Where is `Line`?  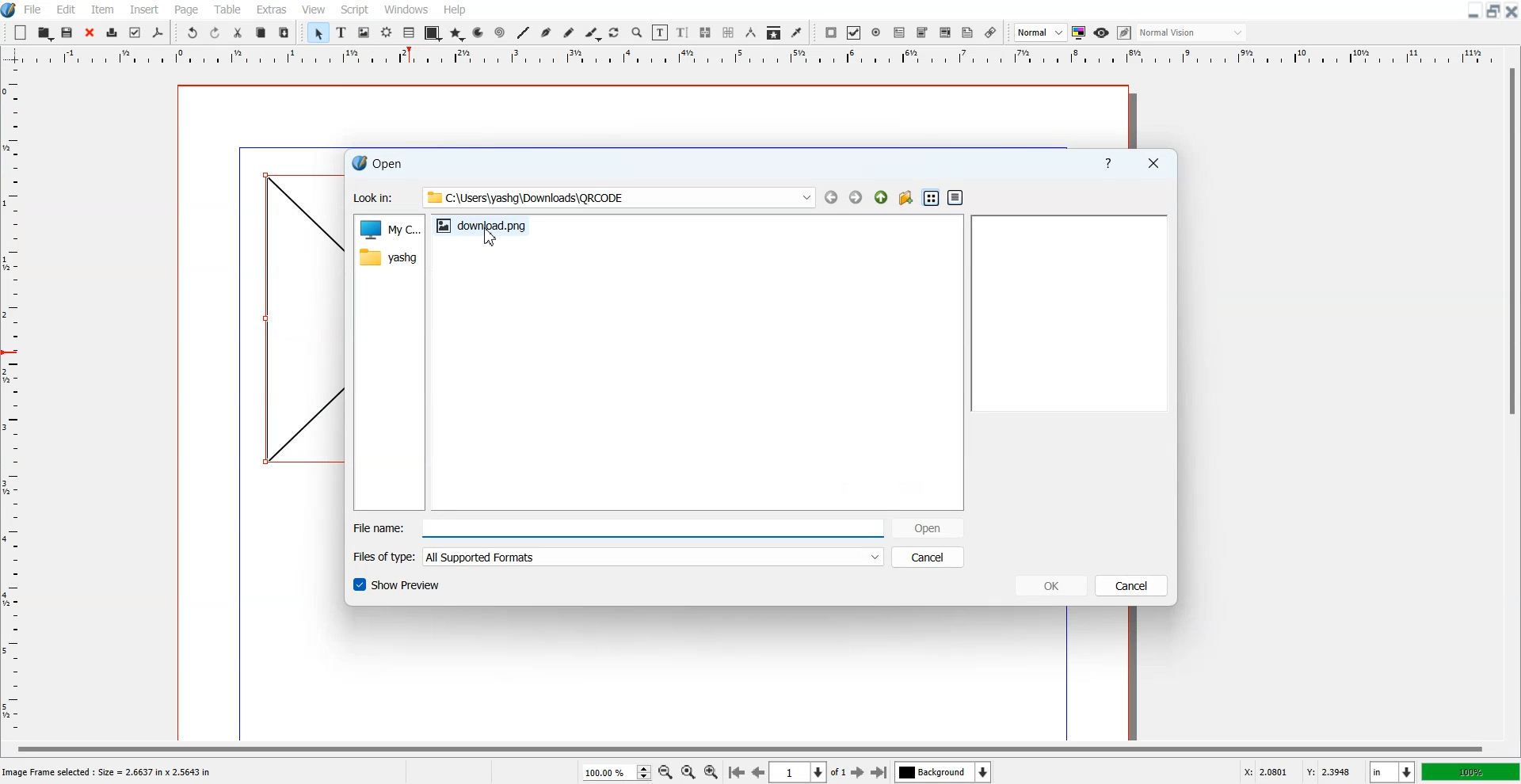
Line is located at coordinates (524, 32).